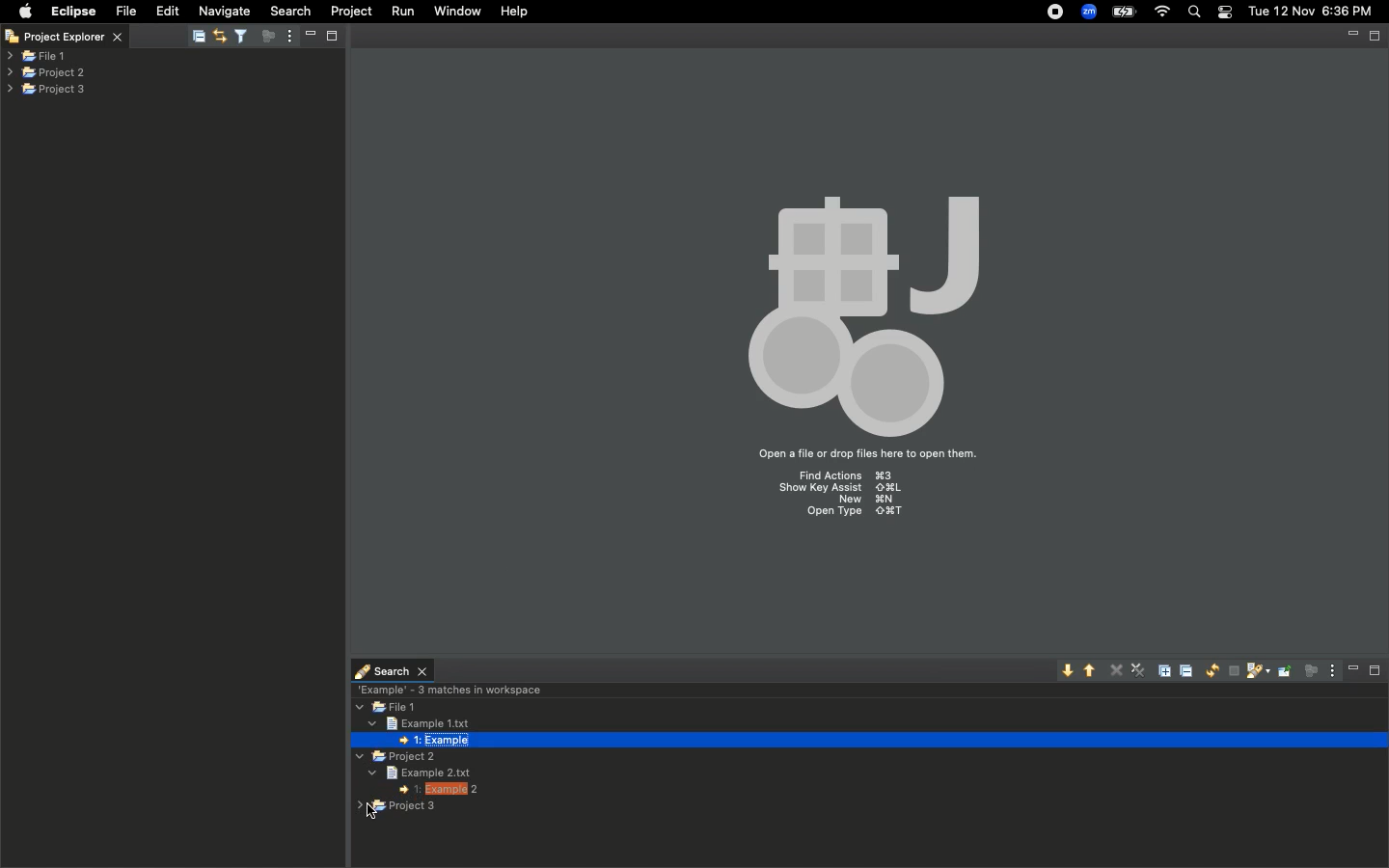  I want to click on Search, so click(1195, 14).